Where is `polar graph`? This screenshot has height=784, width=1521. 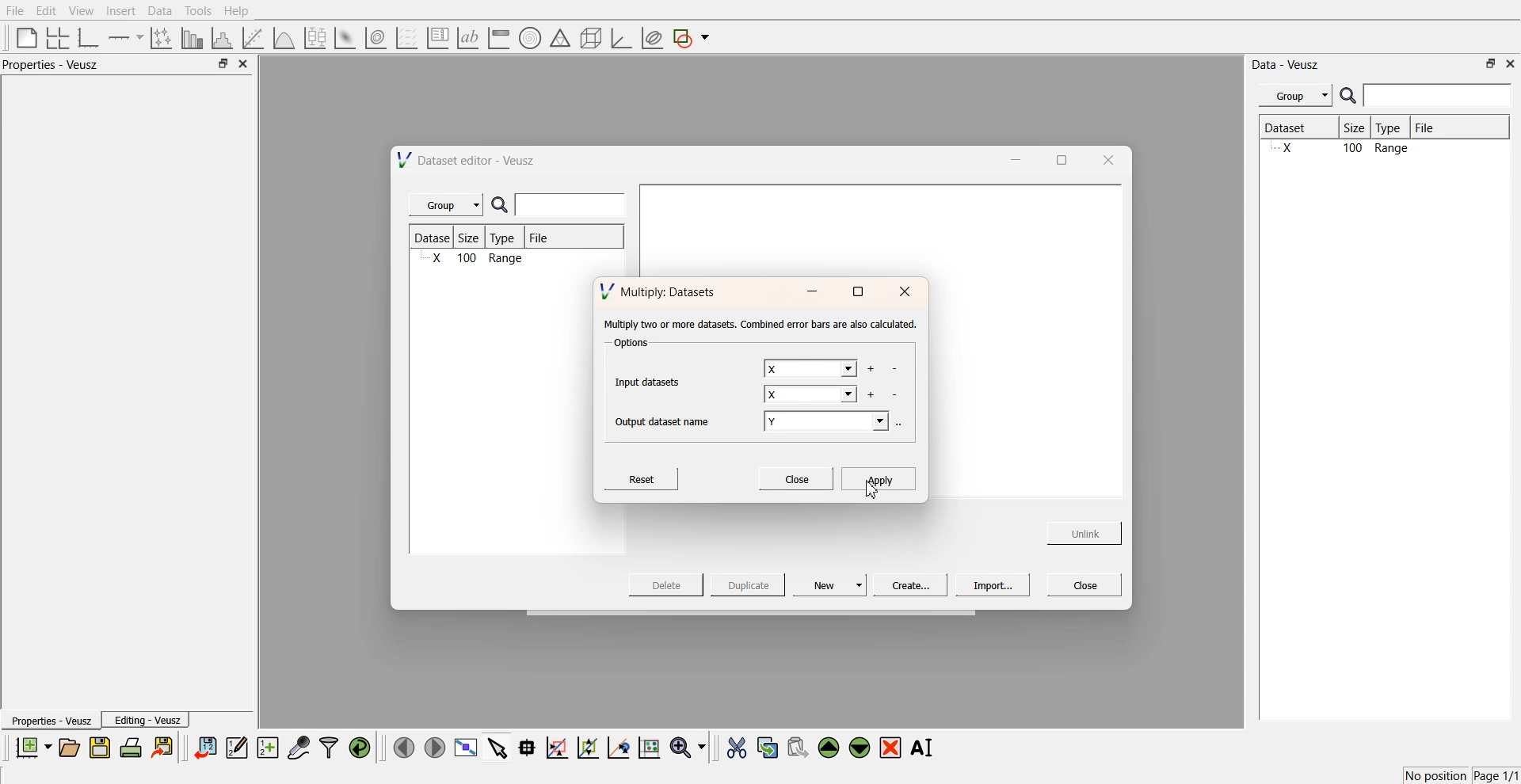 polar graph is located at coordinates (529, 40).